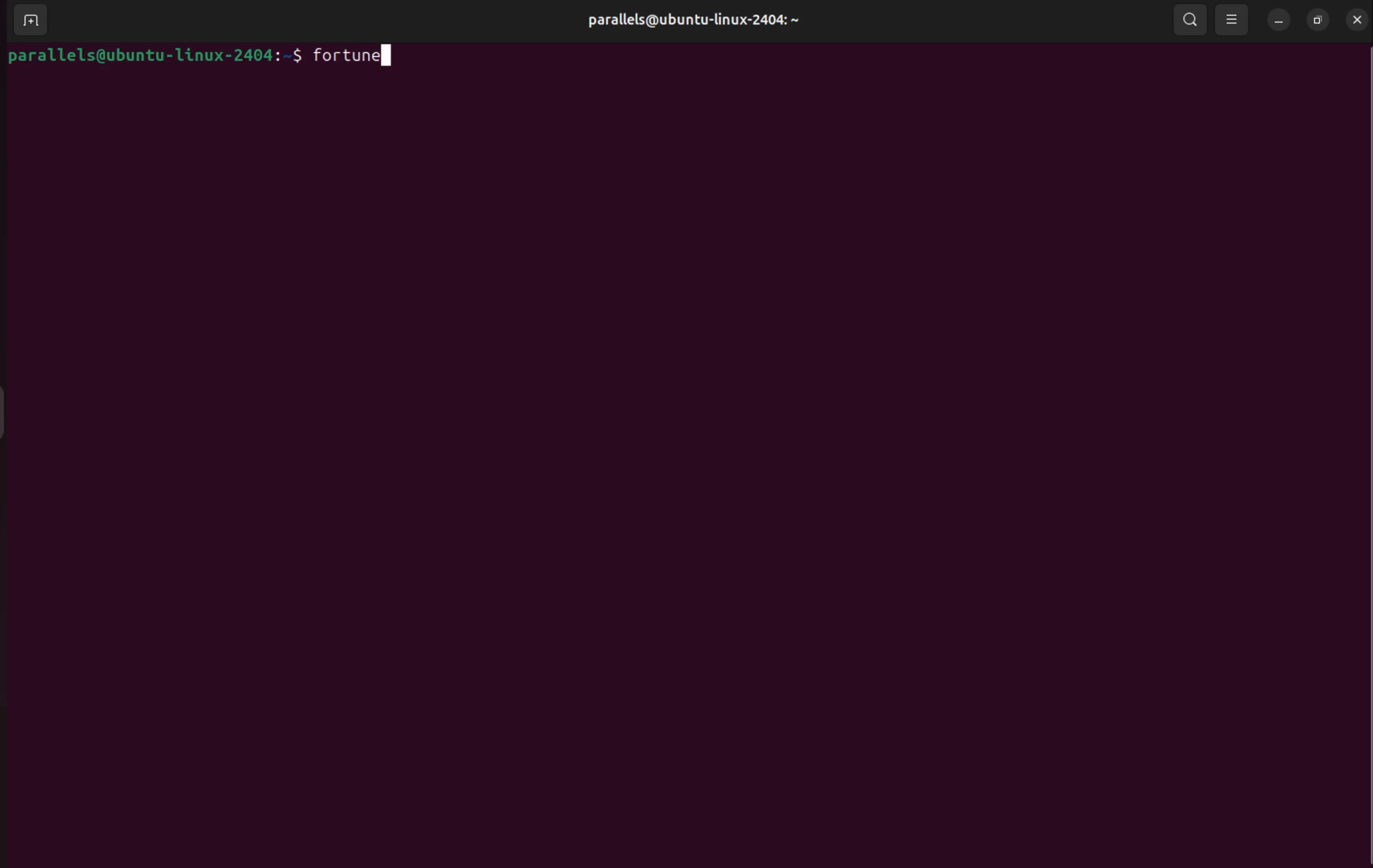  I want to click on add terminal, so click(27, 19).